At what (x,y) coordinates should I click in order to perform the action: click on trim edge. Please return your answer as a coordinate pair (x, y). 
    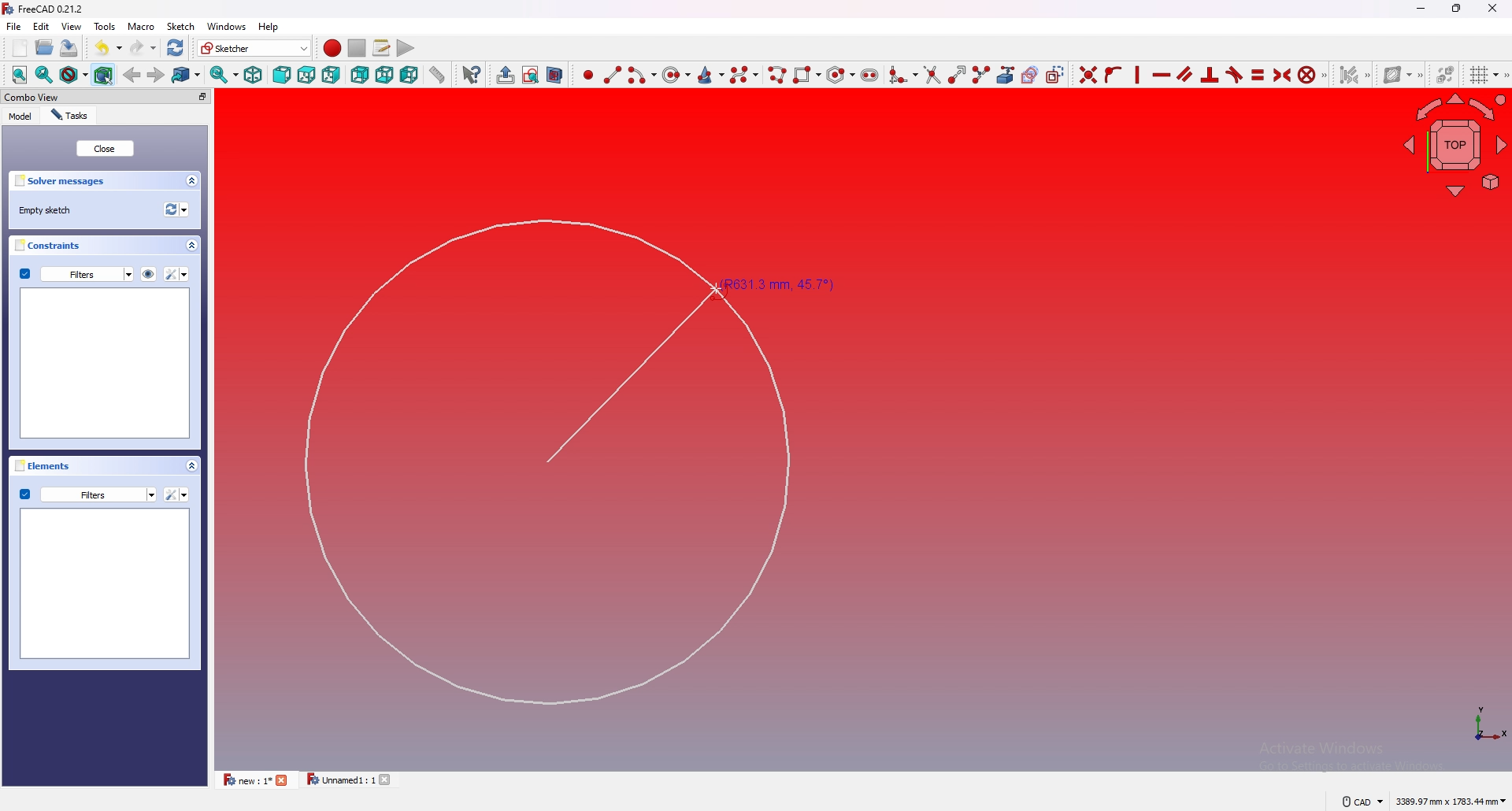
    Looking at the image, I should click on (930, 73).